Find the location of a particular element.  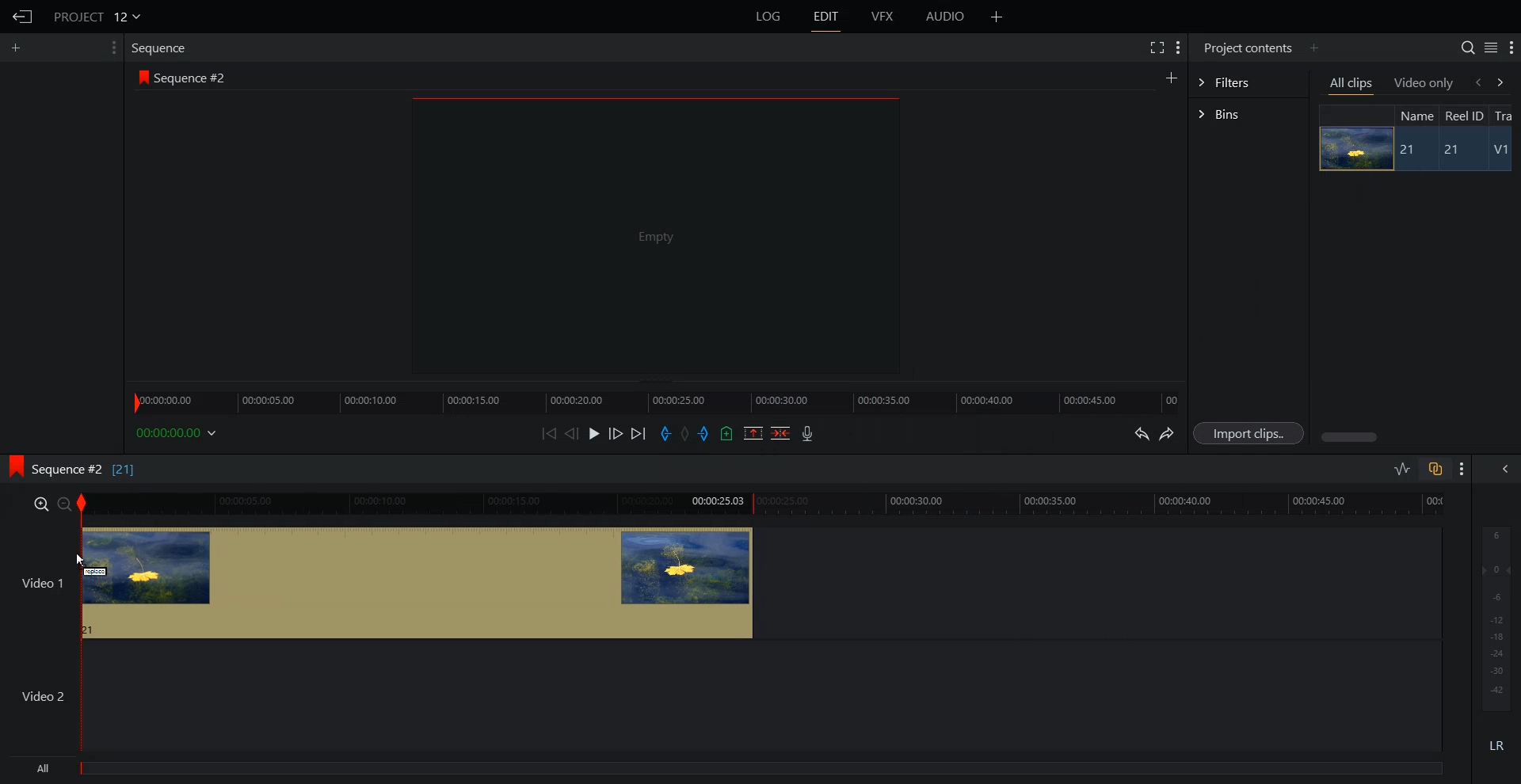

V1 is located at coordinates (1503, 151).